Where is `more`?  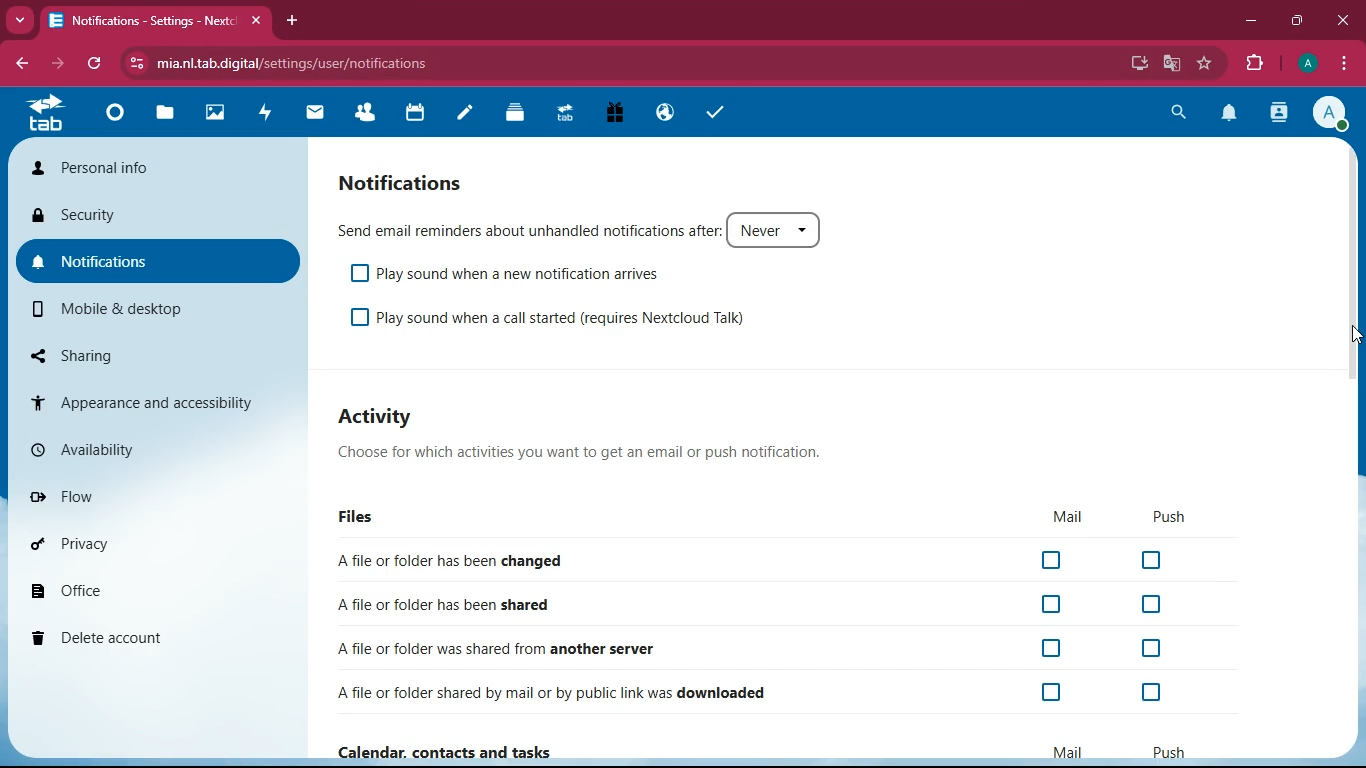
more is located at coordinates (20, 20).